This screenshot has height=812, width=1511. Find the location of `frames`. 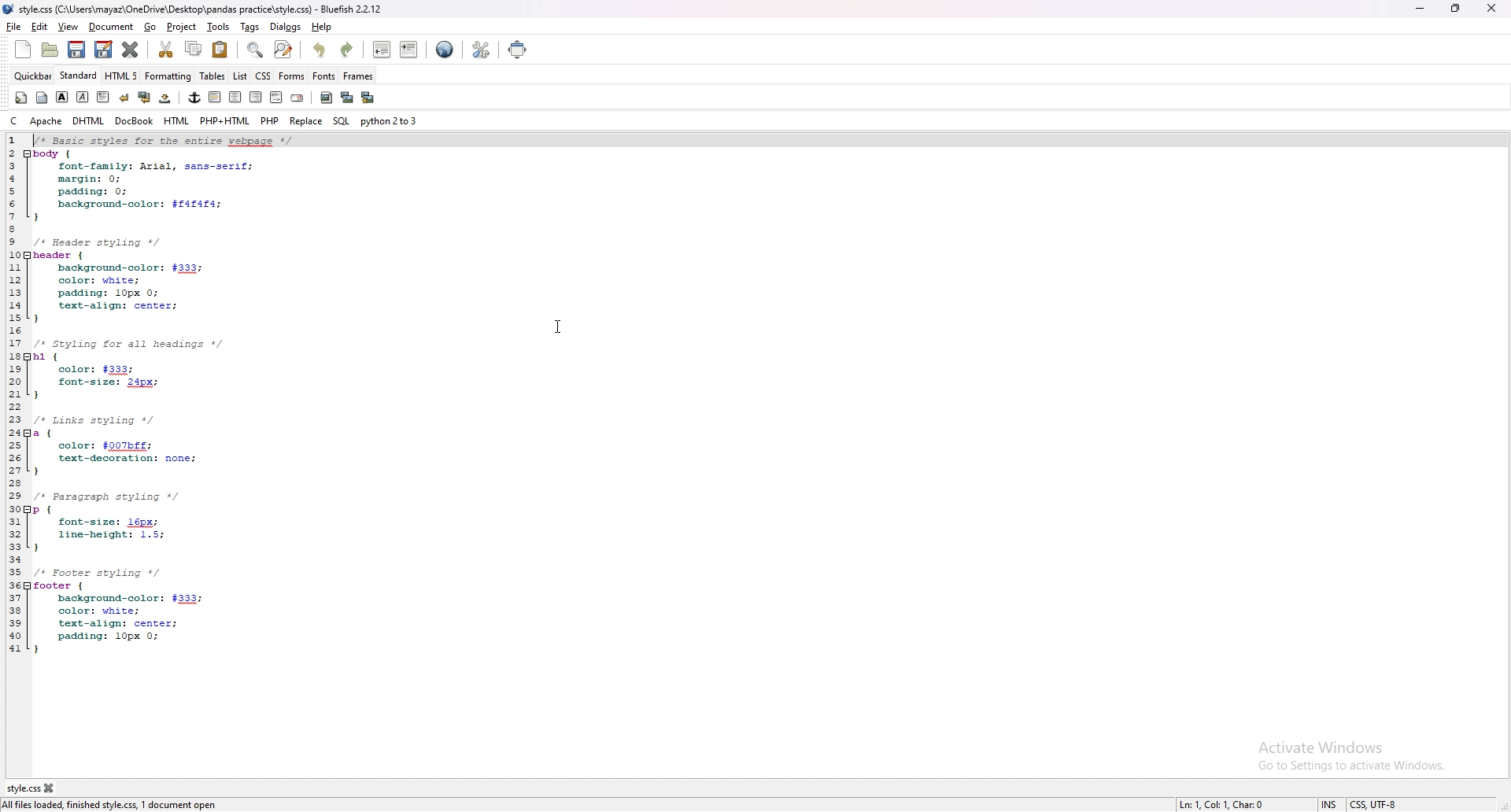

frames is located at coordinates (359, 76).